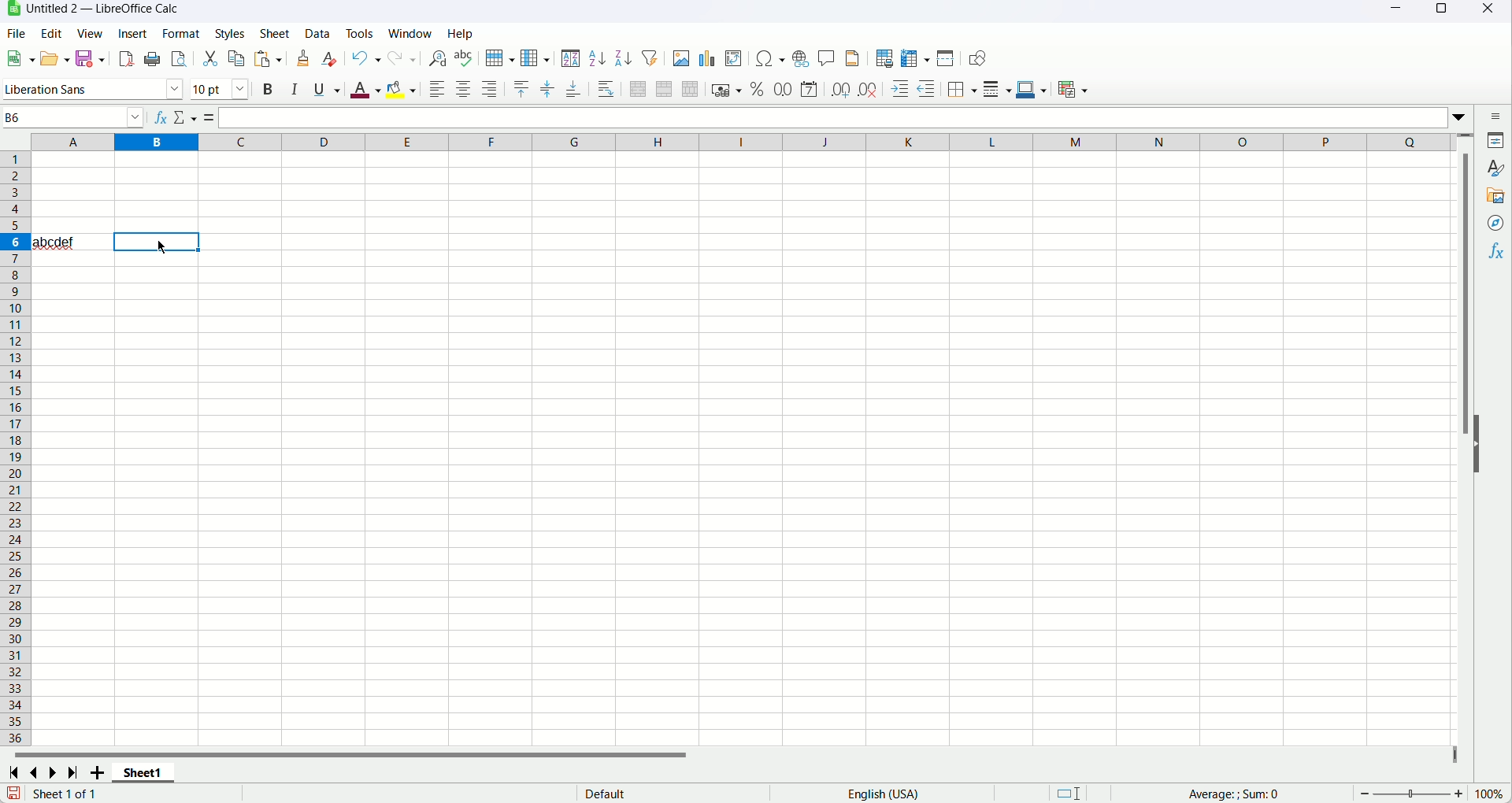  What do you see at coordinates (15, 449) in the screenshot?
I see `rows` at bounding box center [15, 449].